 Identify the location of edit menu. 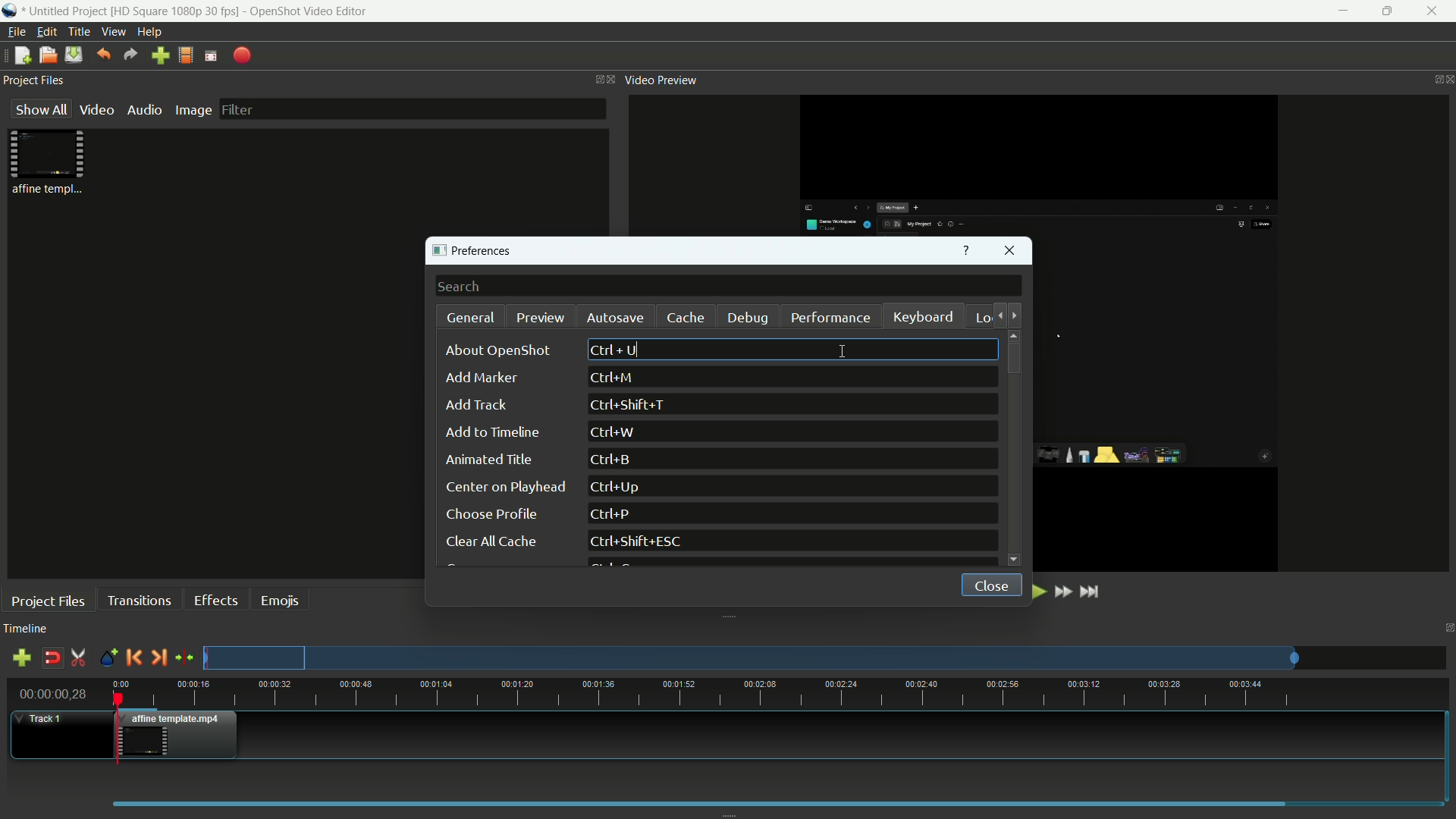
(47, 32).